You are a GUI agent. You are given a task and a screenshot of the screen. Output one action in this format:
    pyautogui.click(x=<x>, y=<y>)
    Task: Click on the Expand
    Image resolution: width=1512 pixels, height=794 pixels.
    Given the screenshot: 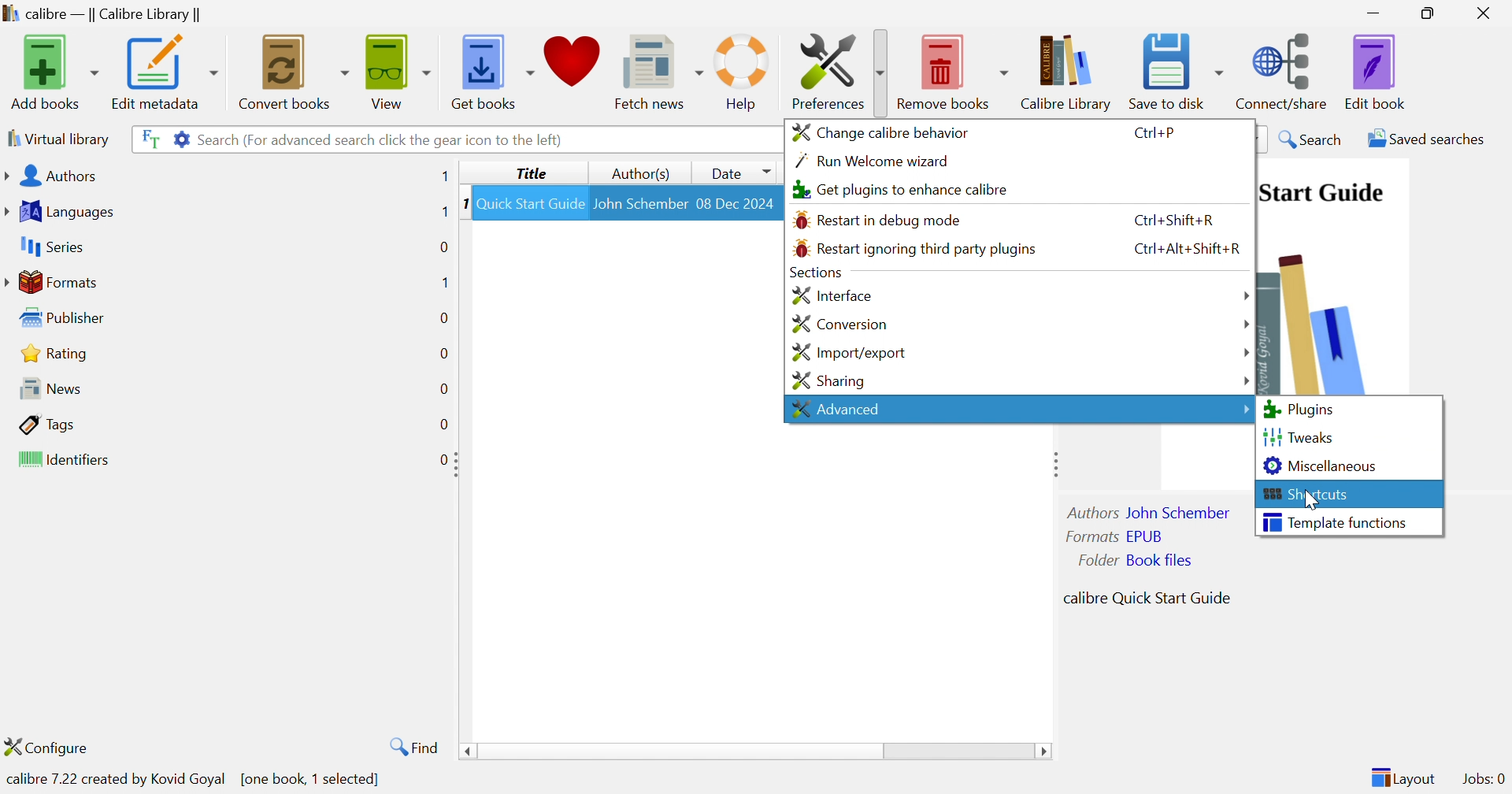 What is the action you would take?
    pyautogui.click(x=1052, y=463)
    